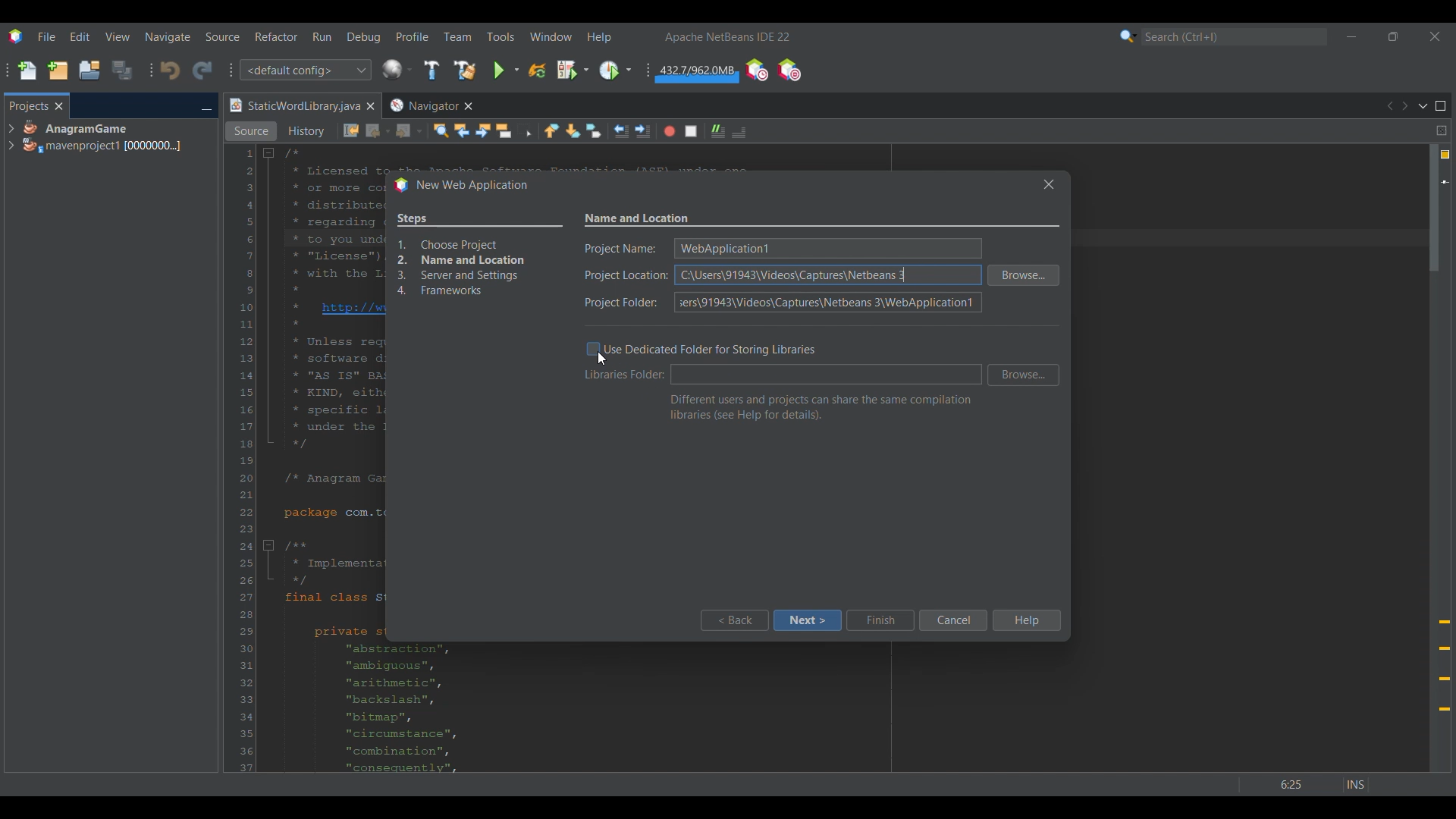 The height and width of the screenshot is (819, 1456). Describe the element at coordinates (1435, 36) in the screenshot. I see `Close interface` at that location.